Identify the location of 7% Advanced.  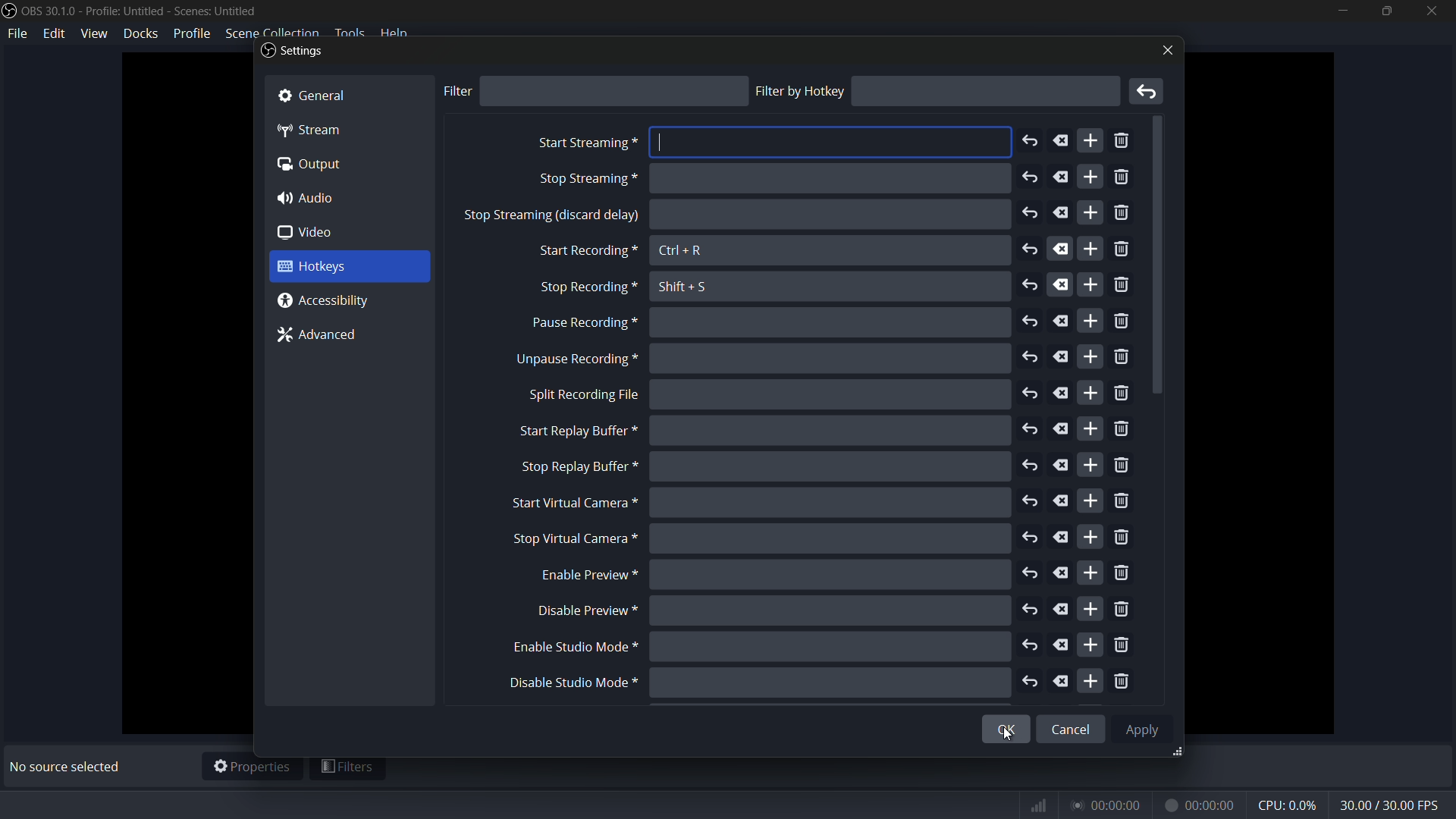
(324, 337).